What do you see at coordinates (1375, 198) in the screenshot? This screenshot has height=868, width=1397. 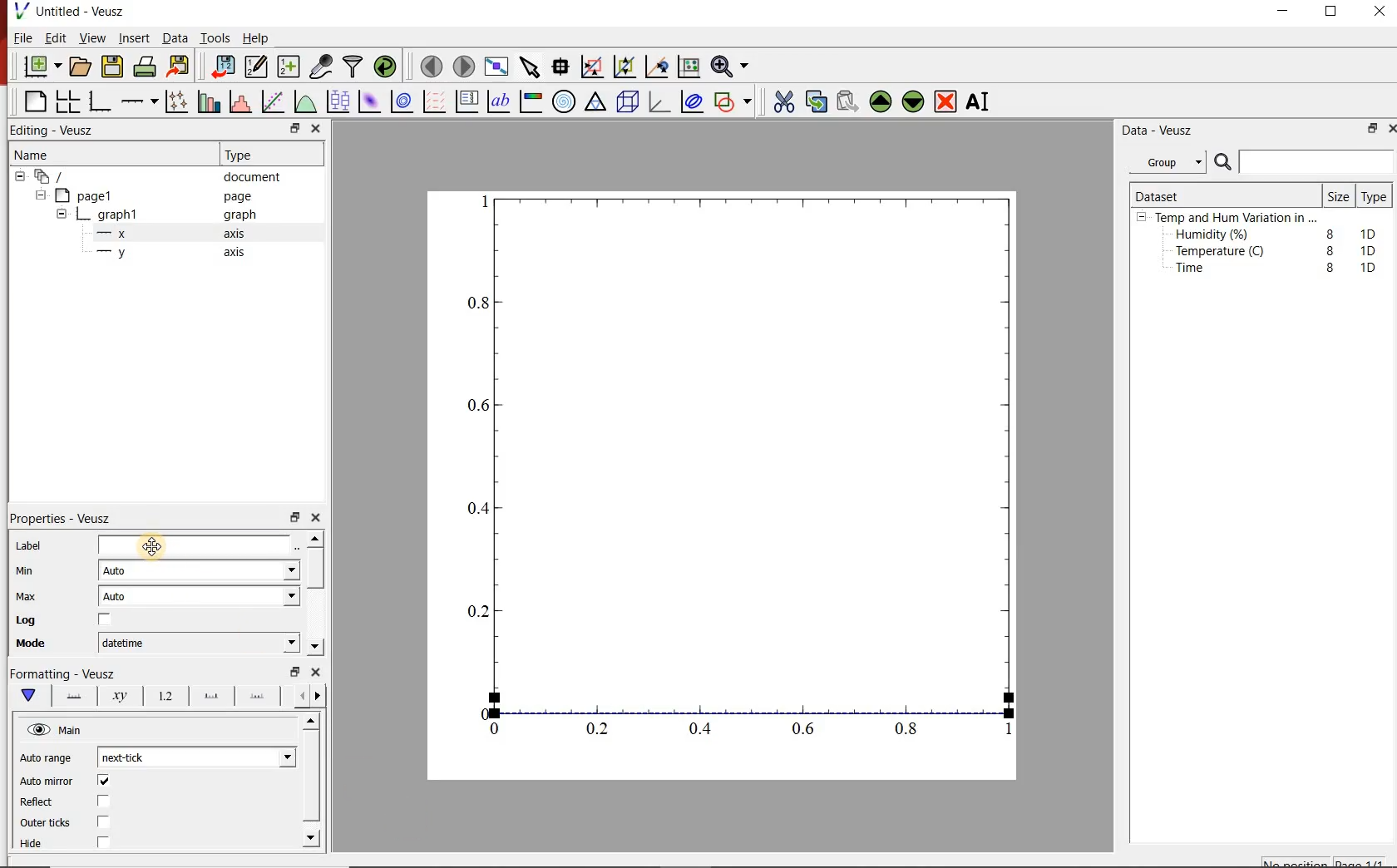 I see `Type` at bounding box center [1375, 198].